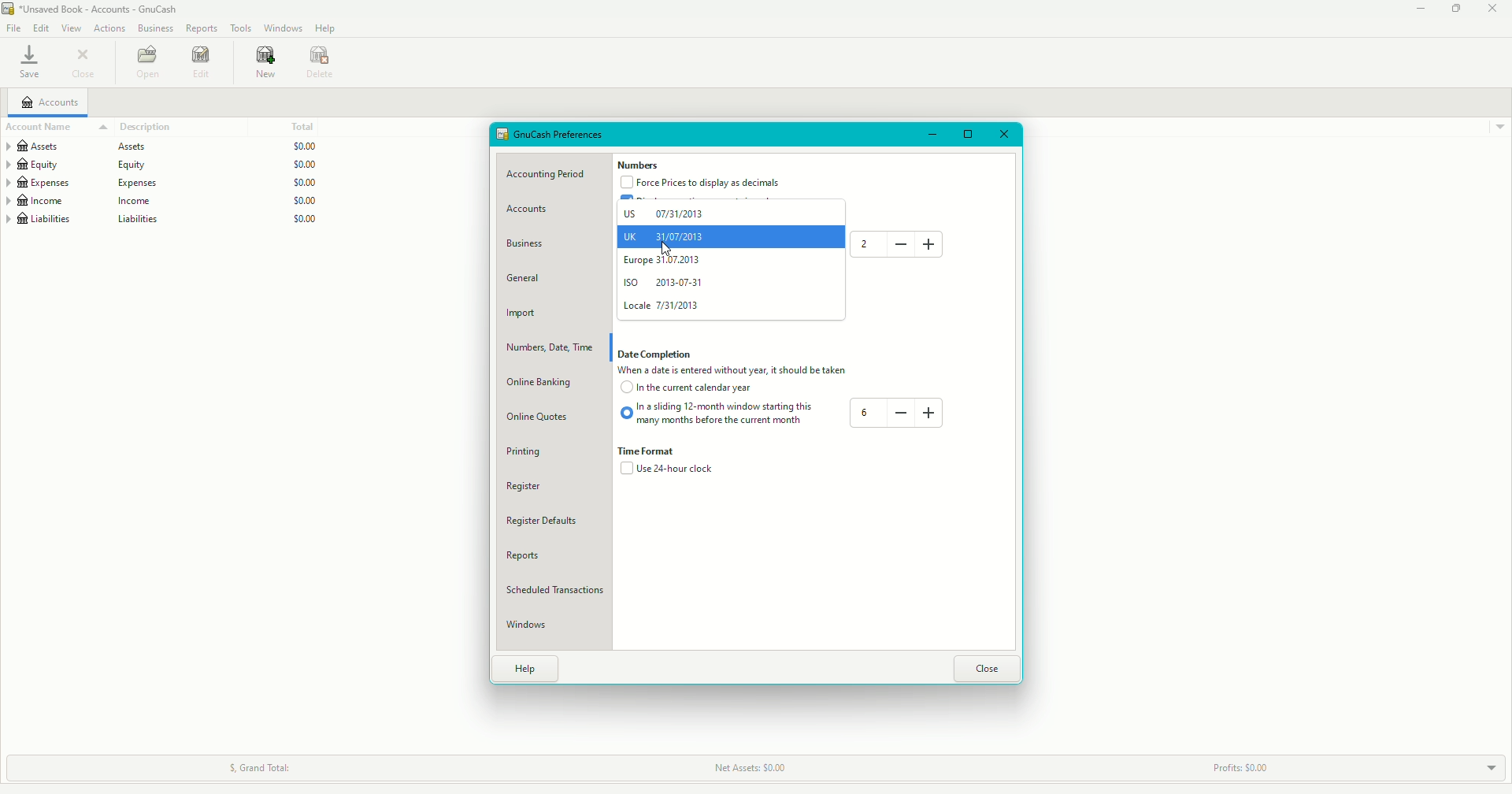 The image size is (1512, 794). What do you see at coordinates (1456, 9) in the screenshot?
I see `Restore` at bounding box center [1456, 9].